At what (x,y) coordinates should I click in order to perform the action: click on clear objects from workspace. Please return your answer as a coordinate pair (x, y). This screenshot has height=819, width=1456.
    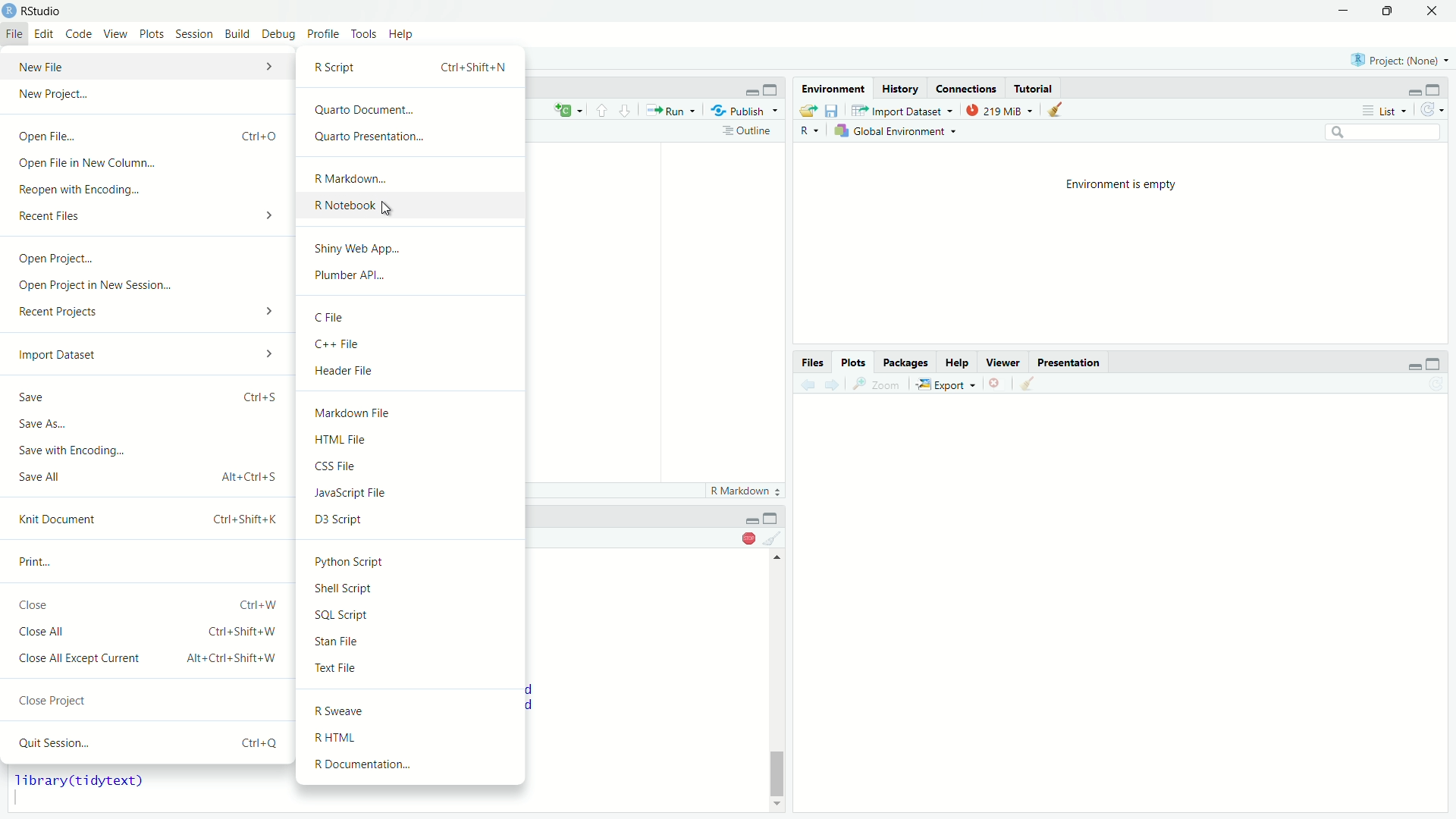
    Looking at the image, I should click on (1057, 111).